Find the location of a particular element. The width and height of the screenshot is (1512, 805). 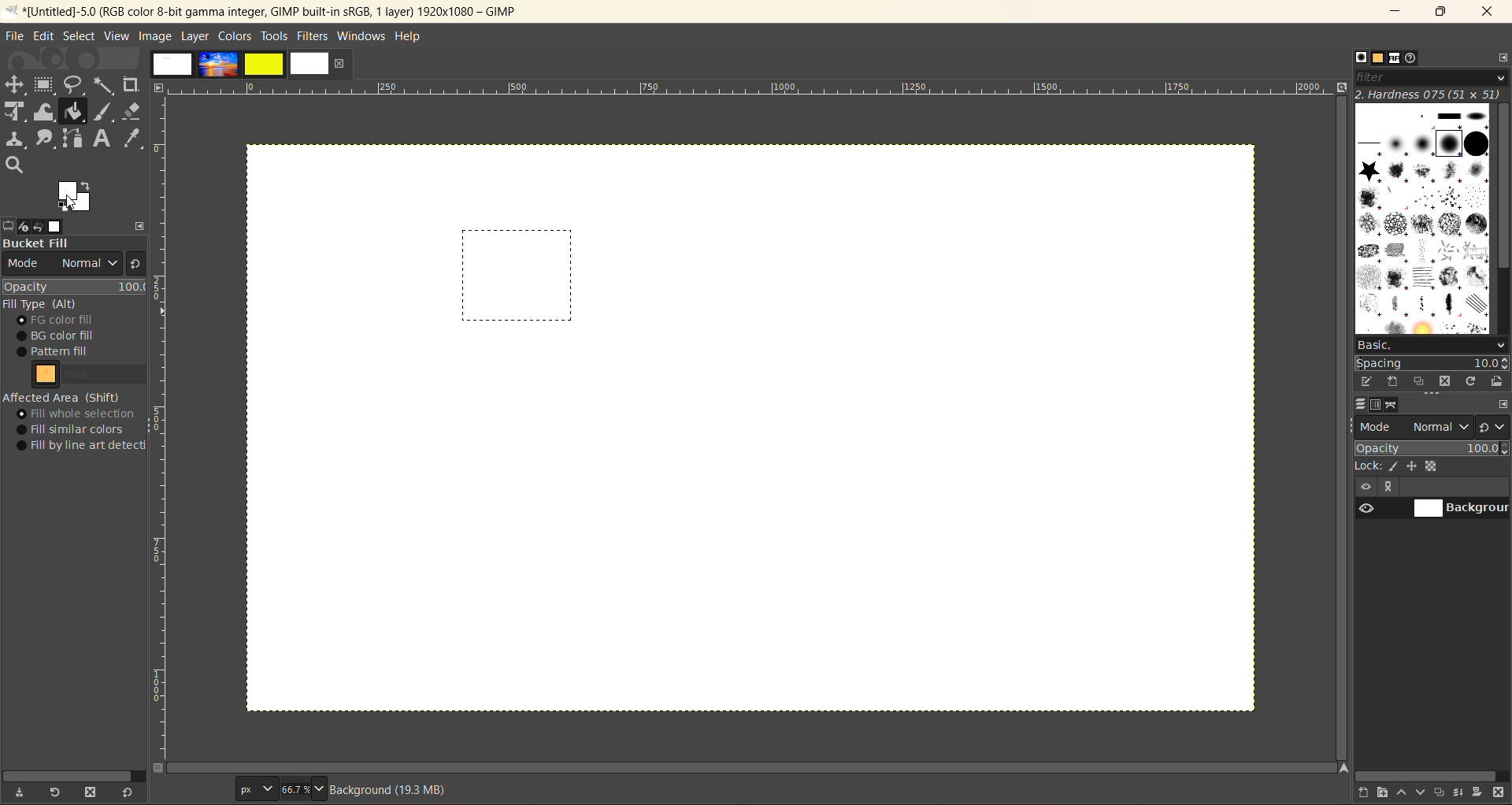

add a mask is located at coordinates (1478, 793).